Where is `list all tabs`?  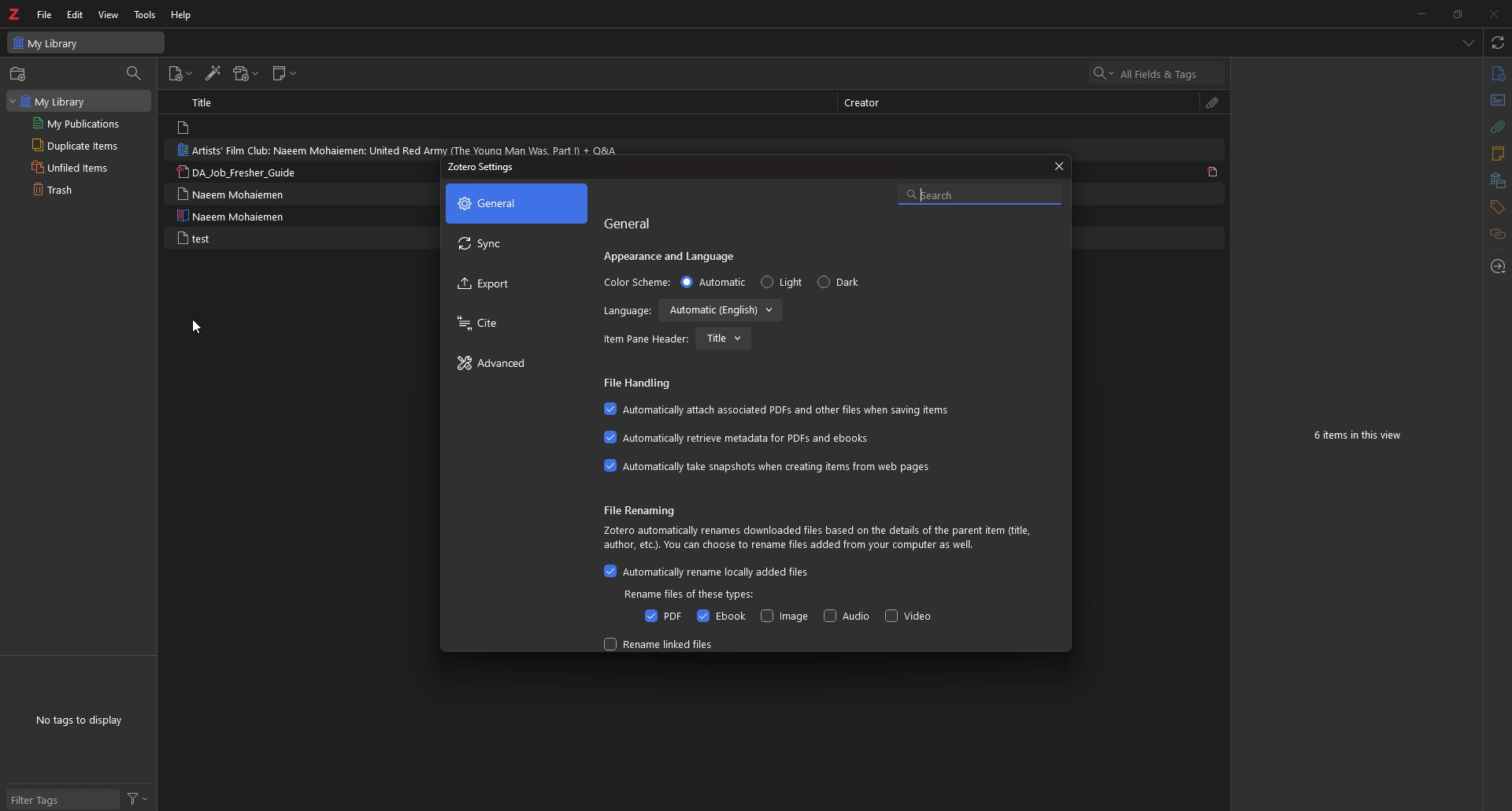
list all tabs is located at coordinates (1468, 44).